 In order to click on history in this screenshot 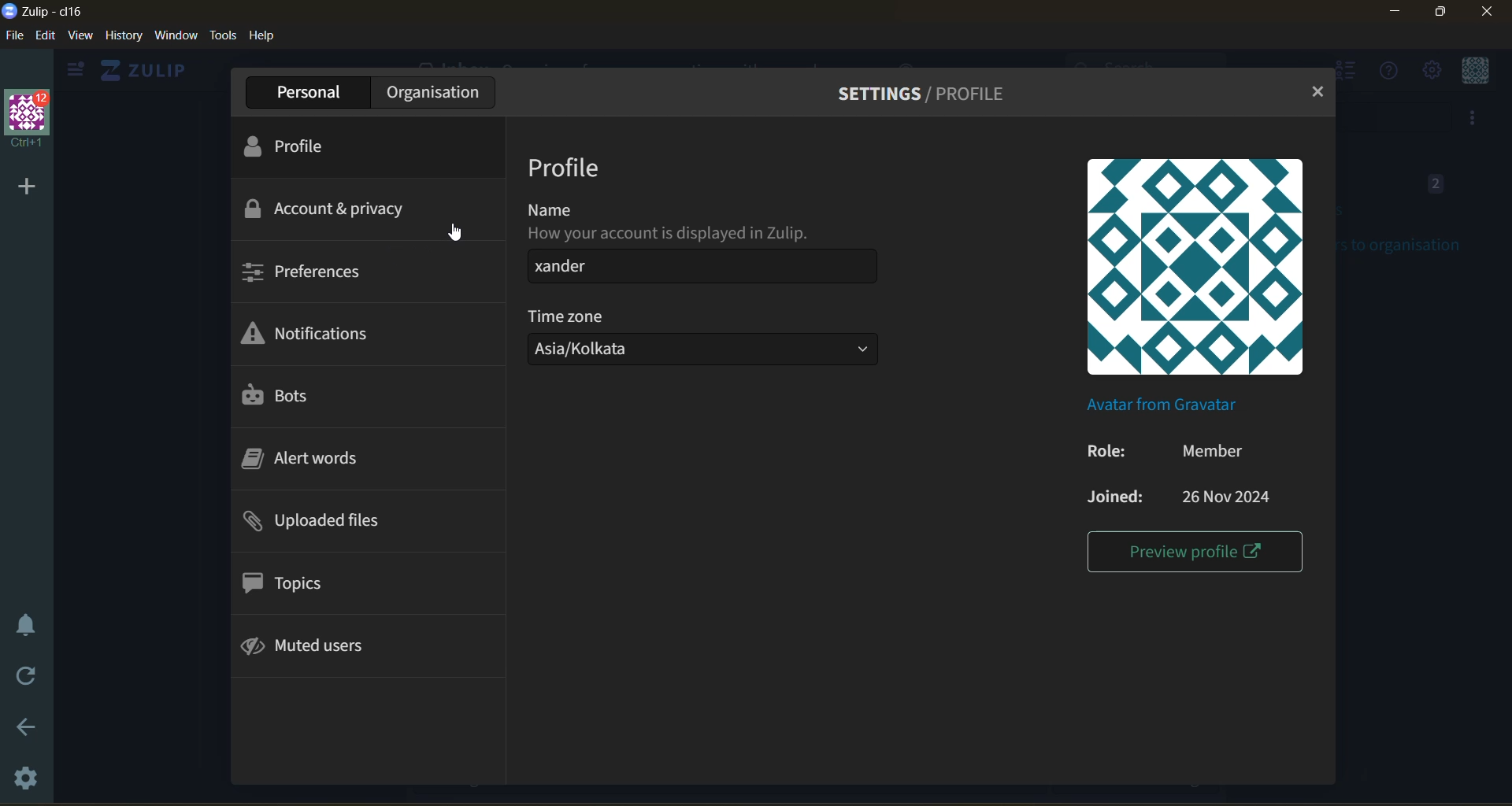, I will do `click(124, 38)`.